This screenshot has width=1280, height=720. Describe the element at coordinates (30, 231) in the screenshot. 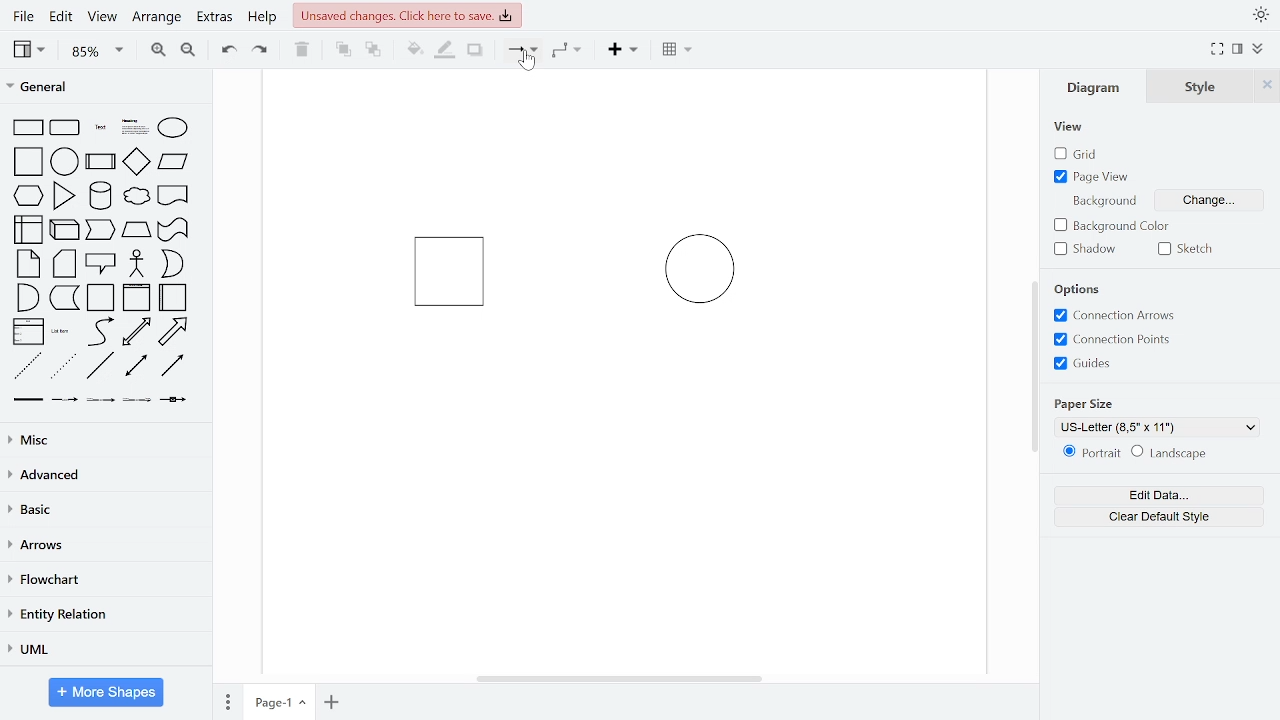

I see `internal storage` at that location.